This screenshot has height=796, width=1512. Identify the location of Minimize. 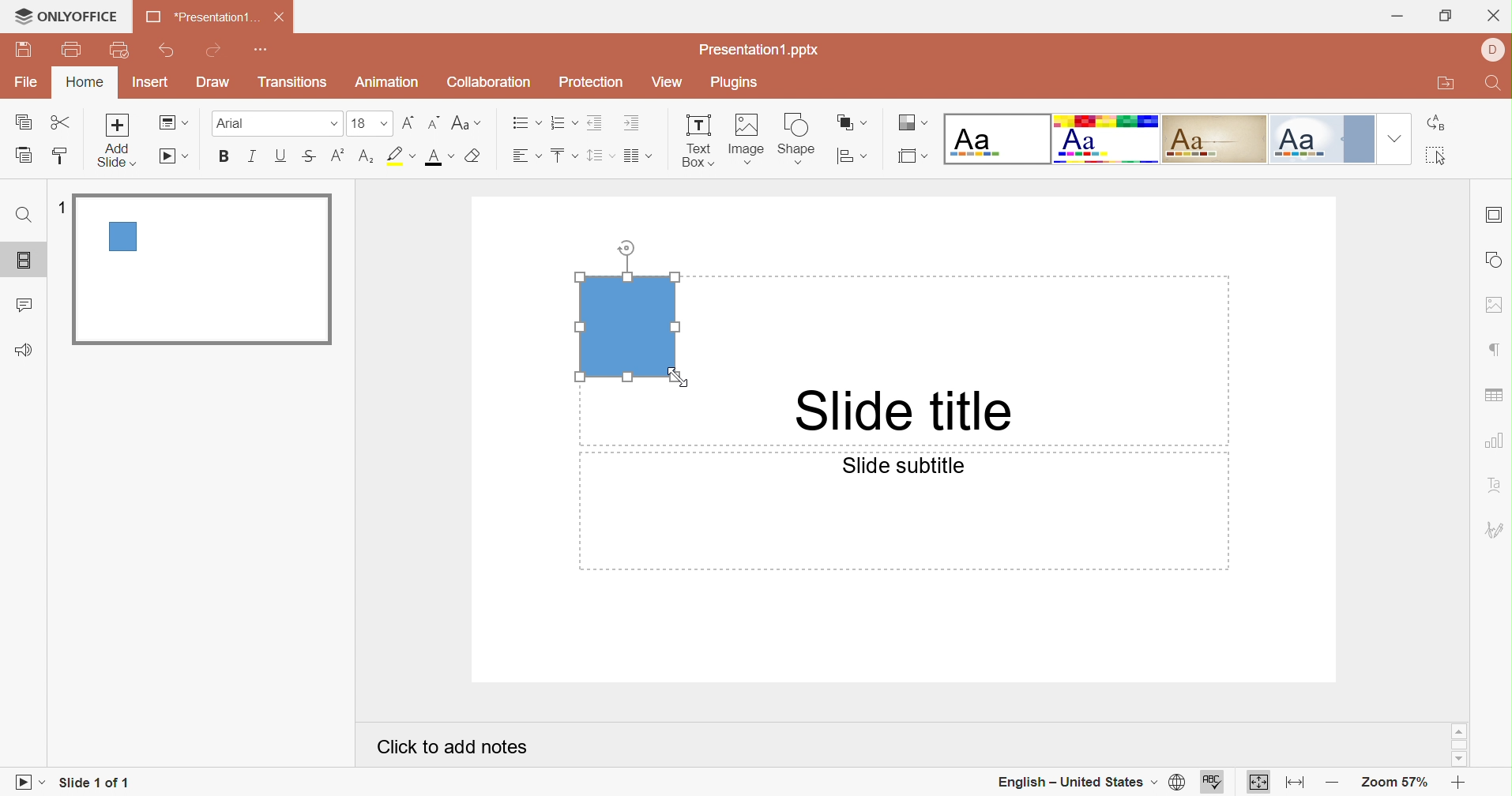
(1401, 19).